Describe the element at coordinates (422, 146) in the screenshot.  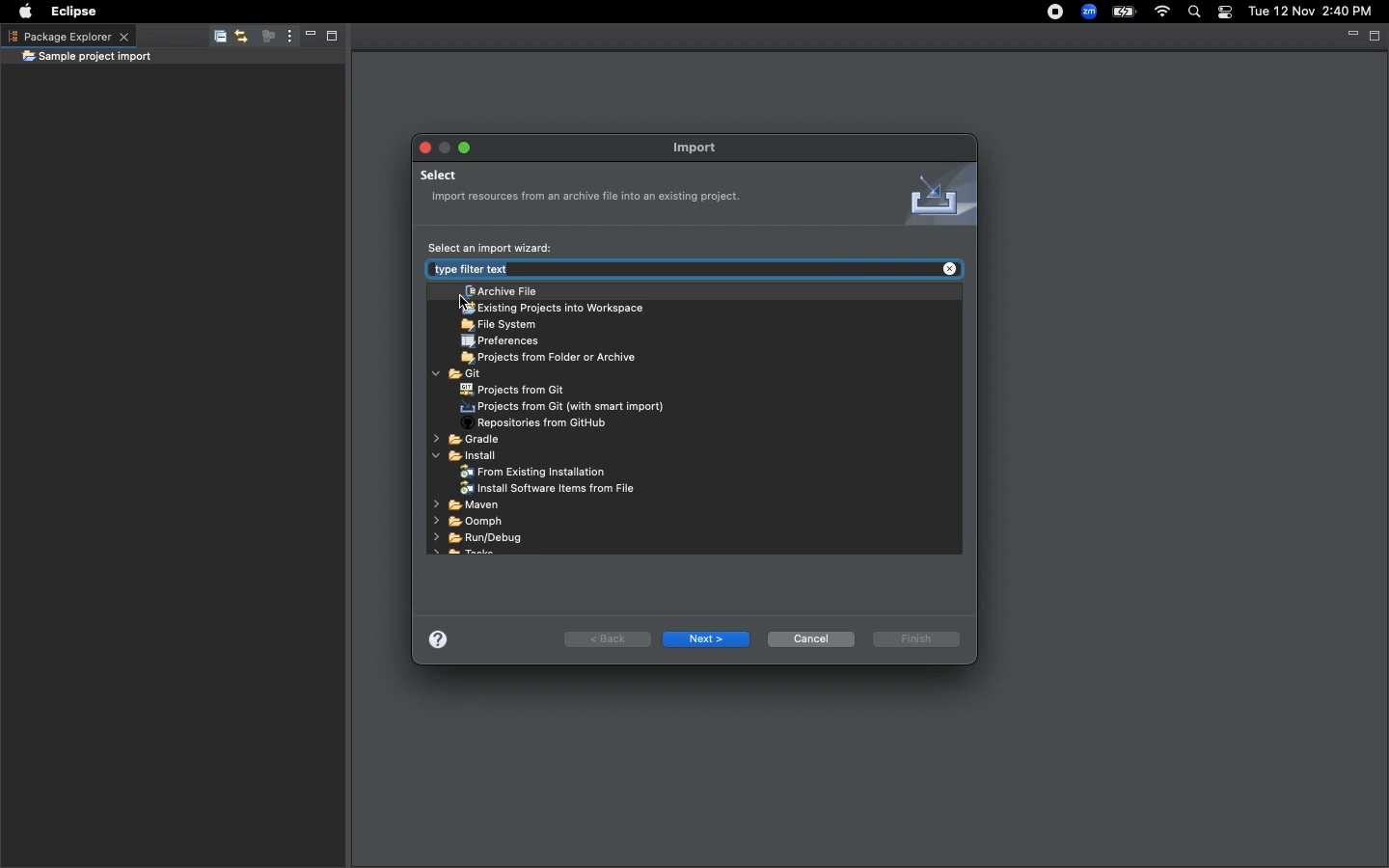
I see `Close` at that location.